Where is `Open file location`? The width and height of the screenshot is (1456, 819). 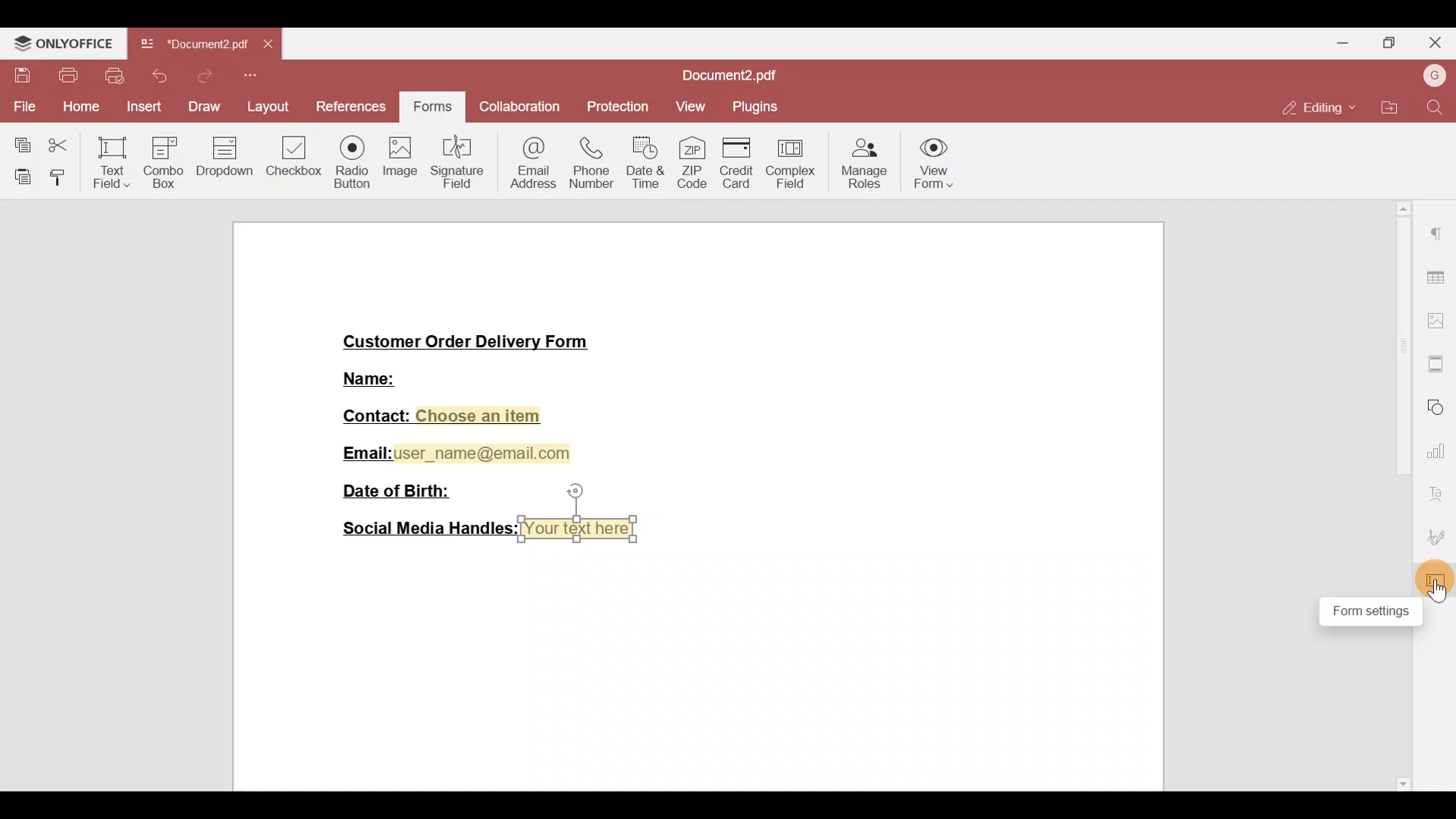 Open file location is located at coordinates (1385, 105).